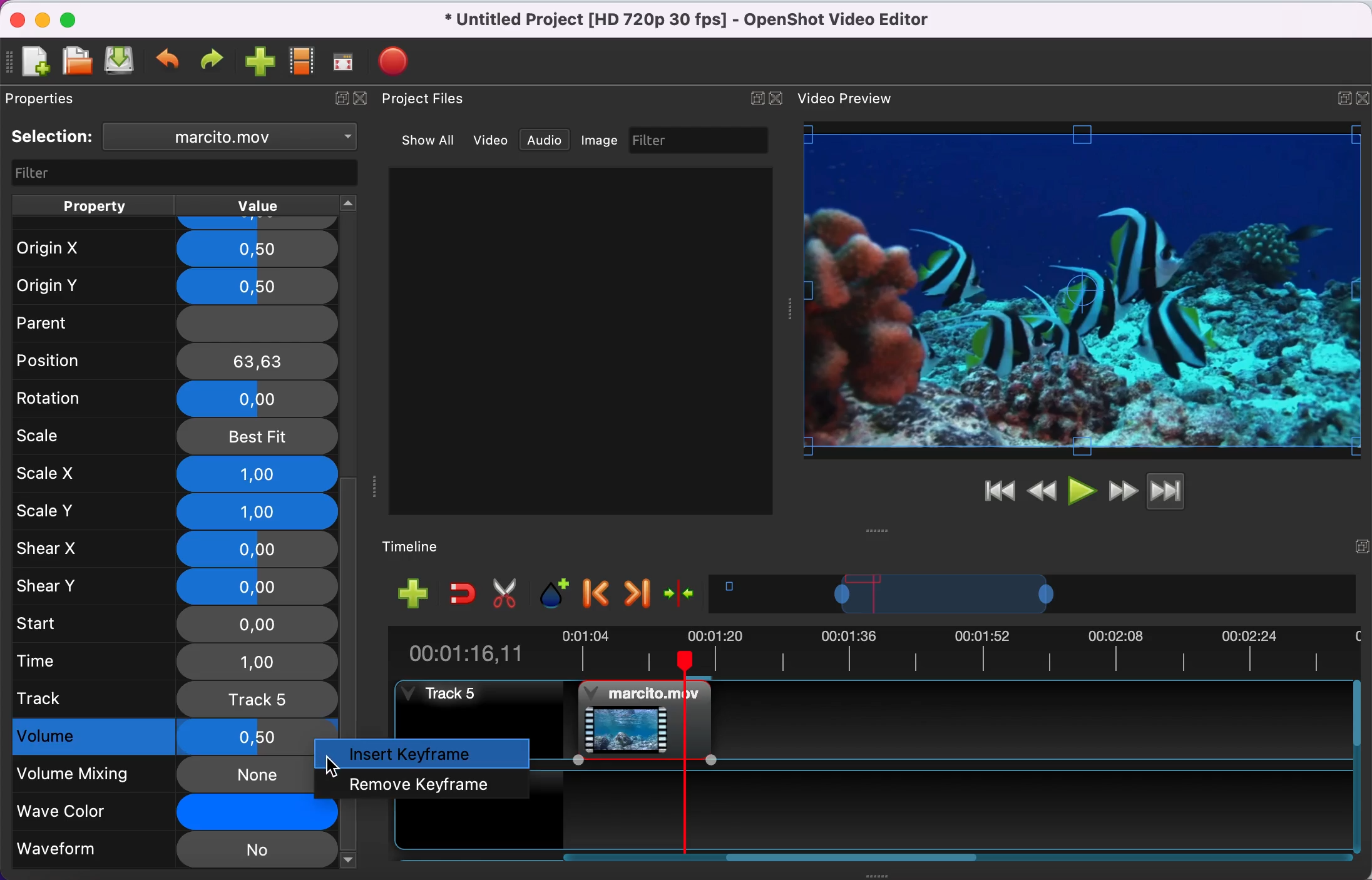  What do you see at coordinates (121, 63) in the screenshot?
I see `save file` at bounding box center [121, 63].